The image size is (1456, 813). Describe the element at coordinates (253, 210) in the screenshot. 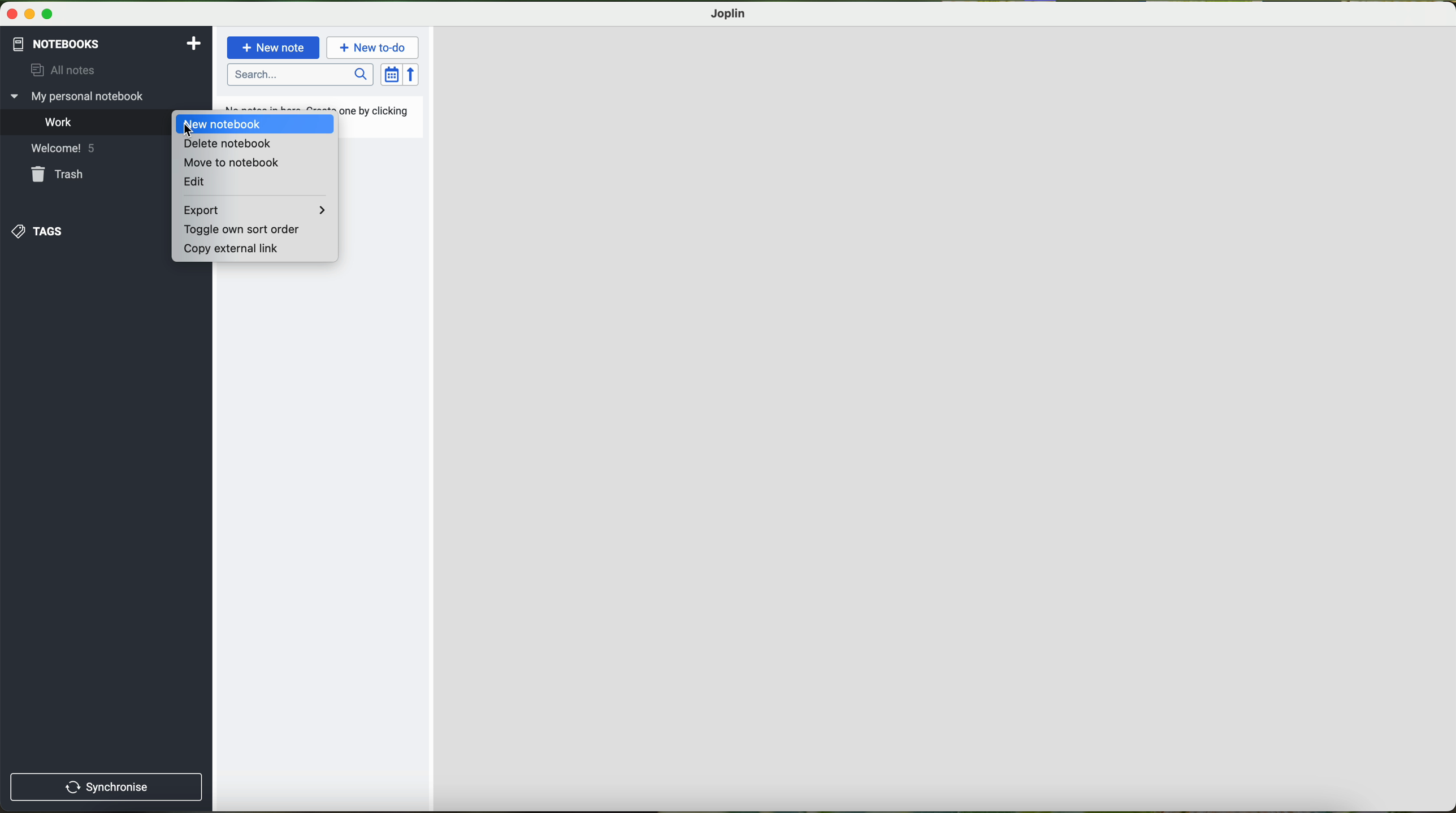

I see `export` at that location.